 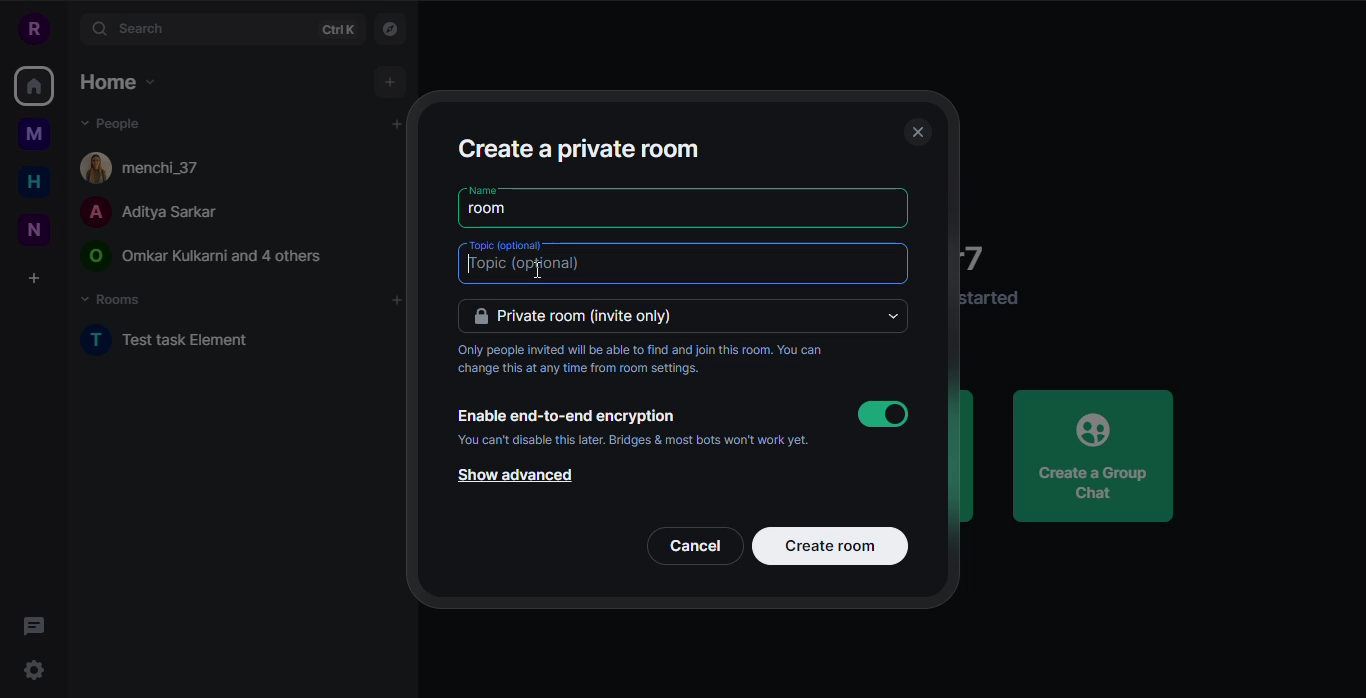 I want to click on ctrlK, so click(x=337, y=31).